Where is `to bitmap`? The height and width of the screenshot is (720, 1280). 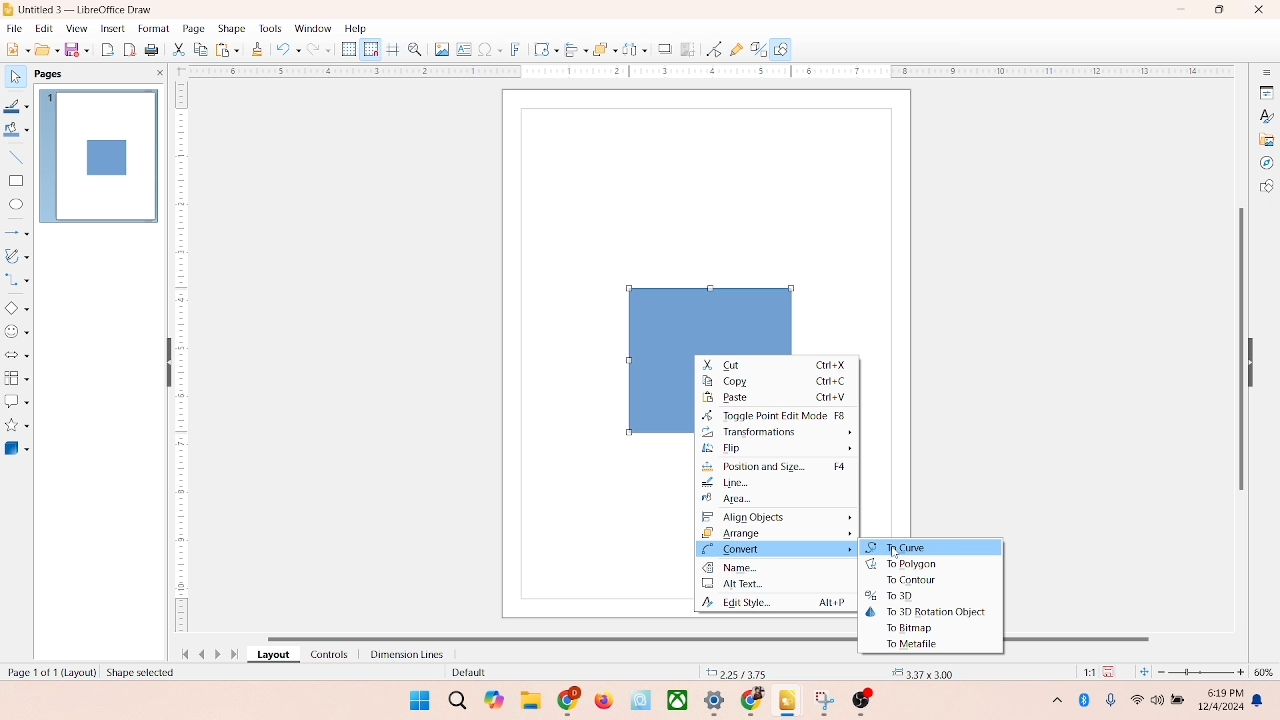 to bitmap is located at coordinates (912, 628).